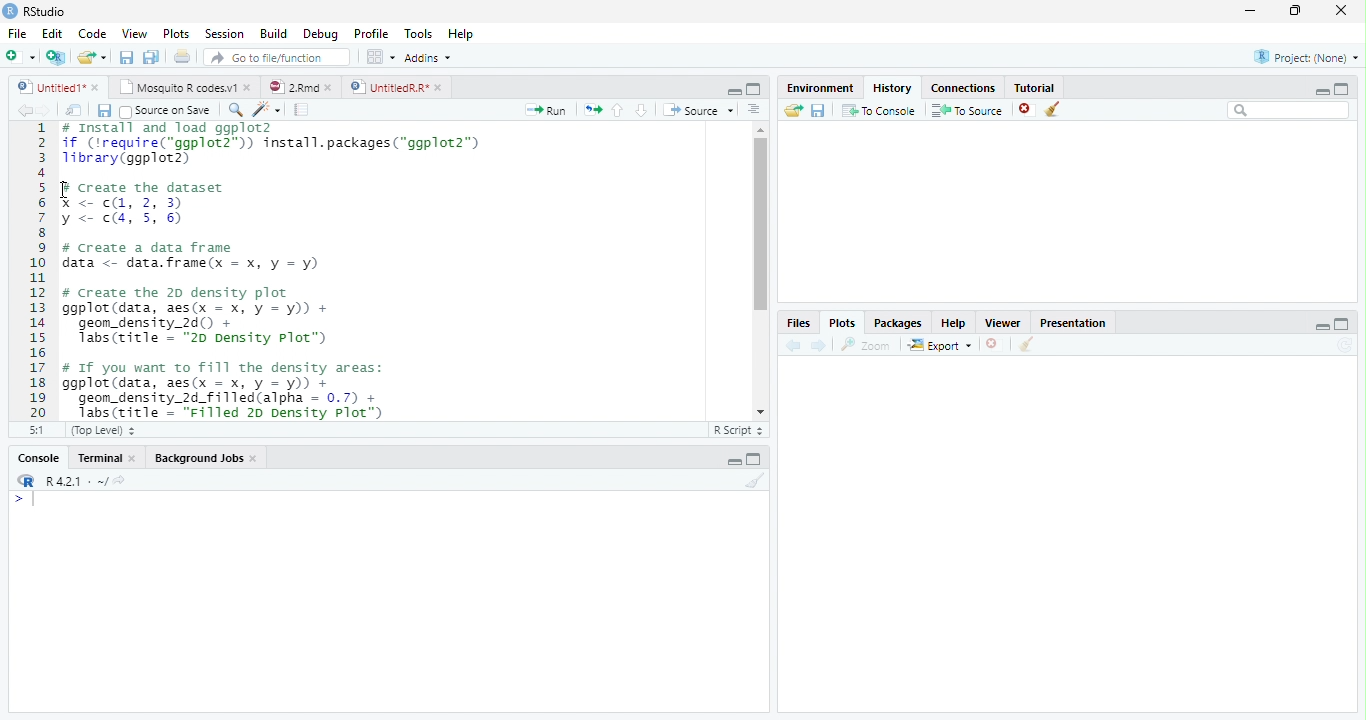  What do you see at coordinates (791, 111) in the screenshot?
I see `Load workspace` at bounding box center [791, 111].